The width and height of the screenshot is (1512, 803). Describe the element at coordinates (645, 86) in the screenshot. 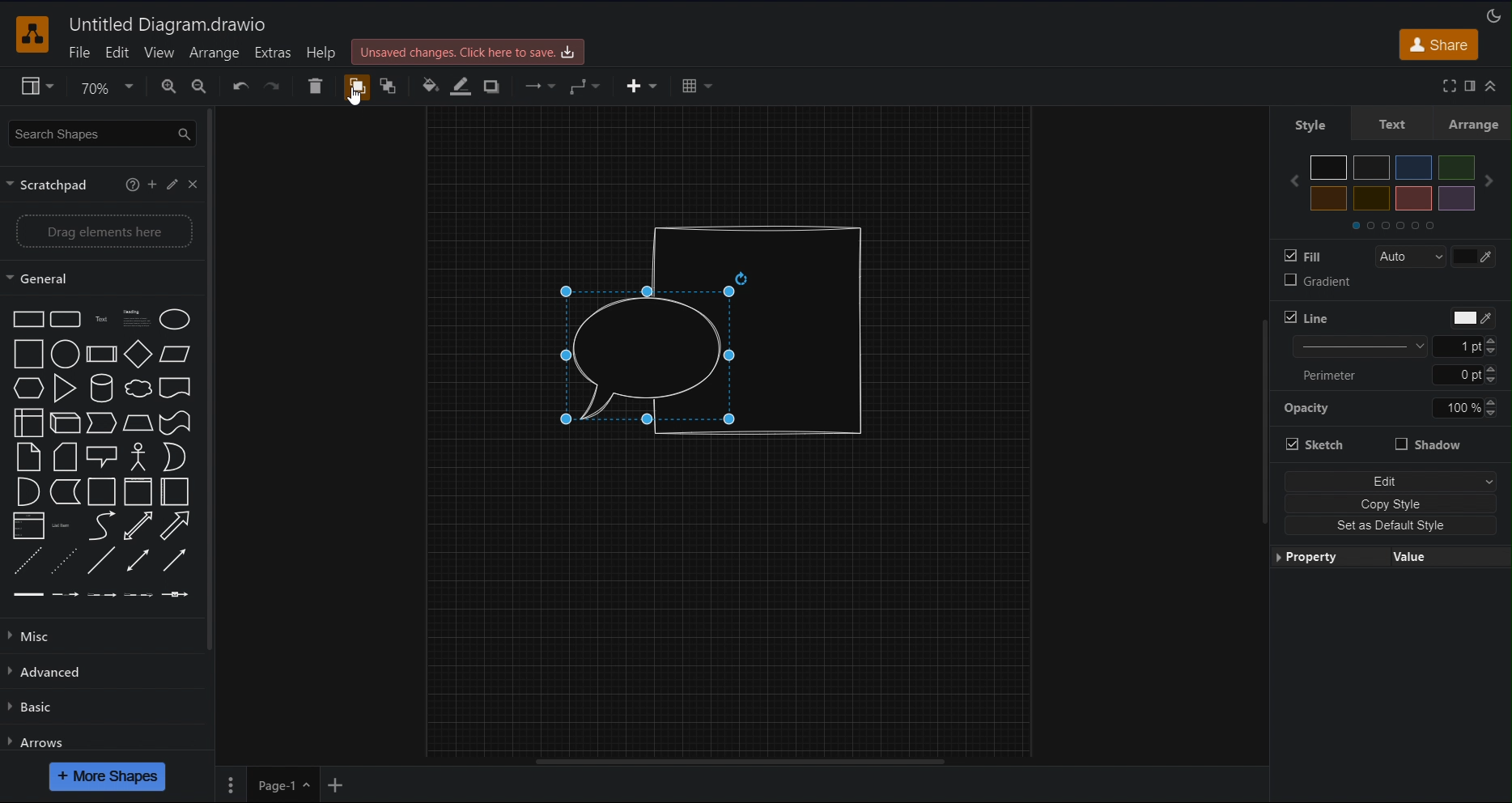

I see `Insert` at that location.